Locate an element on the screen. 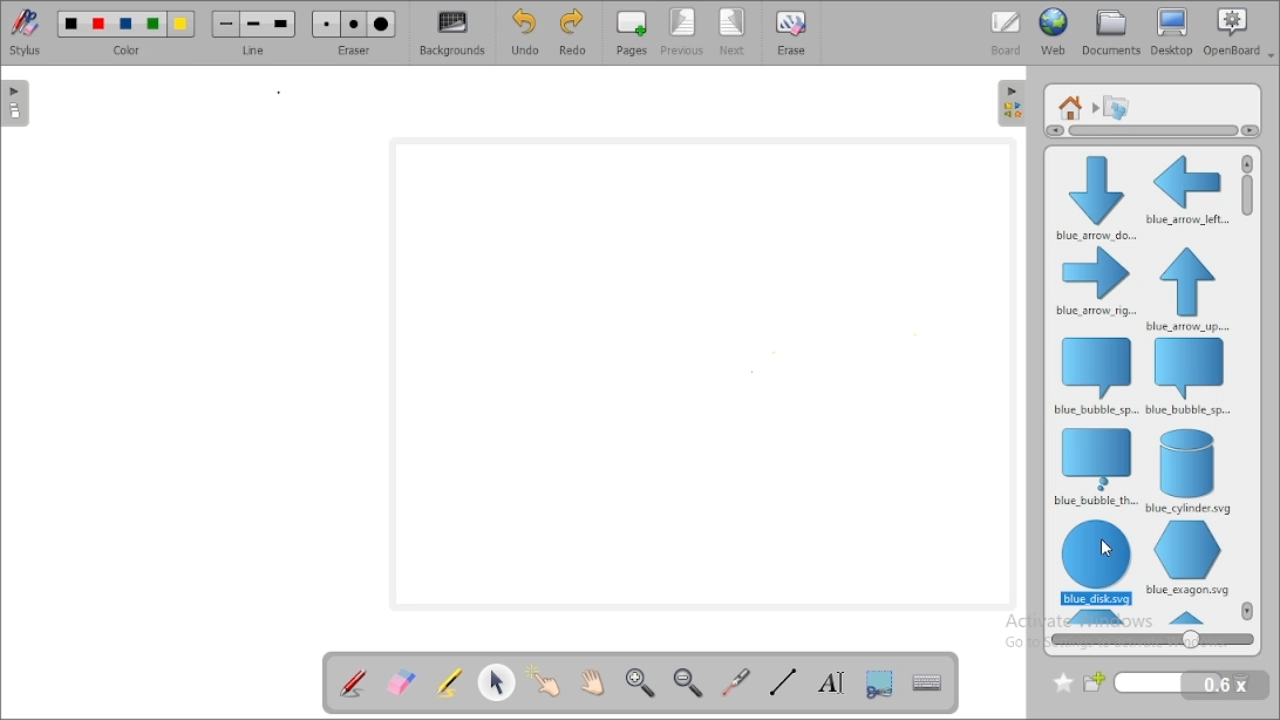 Image resolution: width=1280 pixels, height=720 pixels. horizontal scroll bar is located at coordinates (1148, 131).